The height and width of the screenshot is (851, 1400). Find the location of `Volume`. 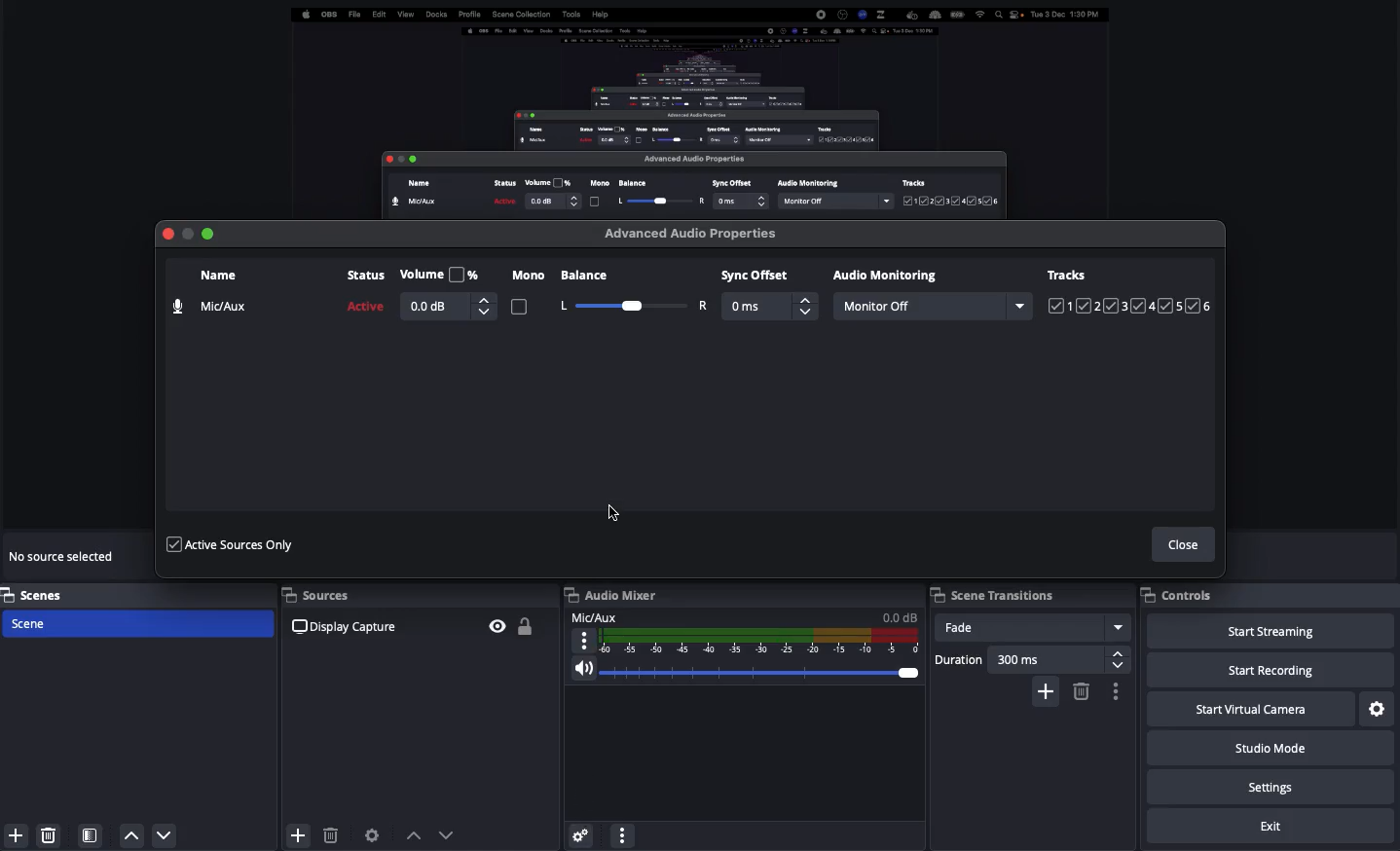

Volume is located at coordinates (745, 672).